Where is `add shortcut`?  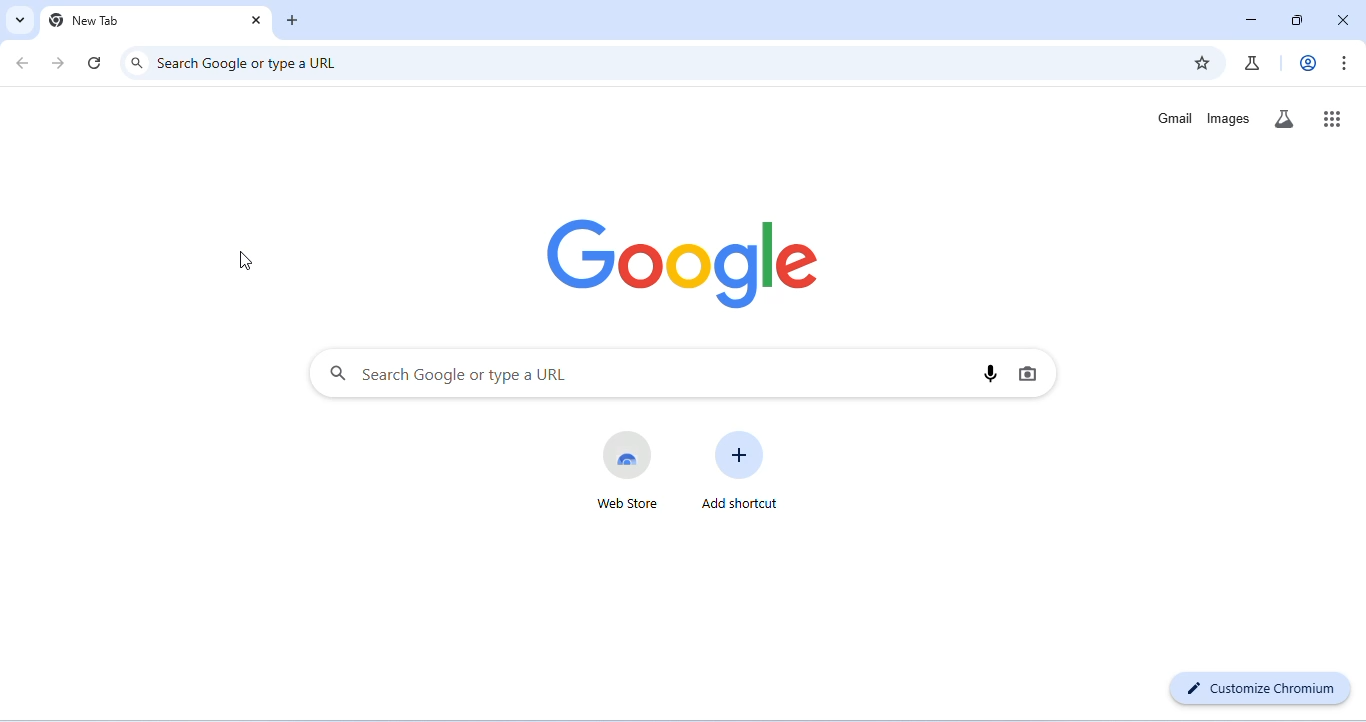 add shortcut is located at coordinates (742, 471).